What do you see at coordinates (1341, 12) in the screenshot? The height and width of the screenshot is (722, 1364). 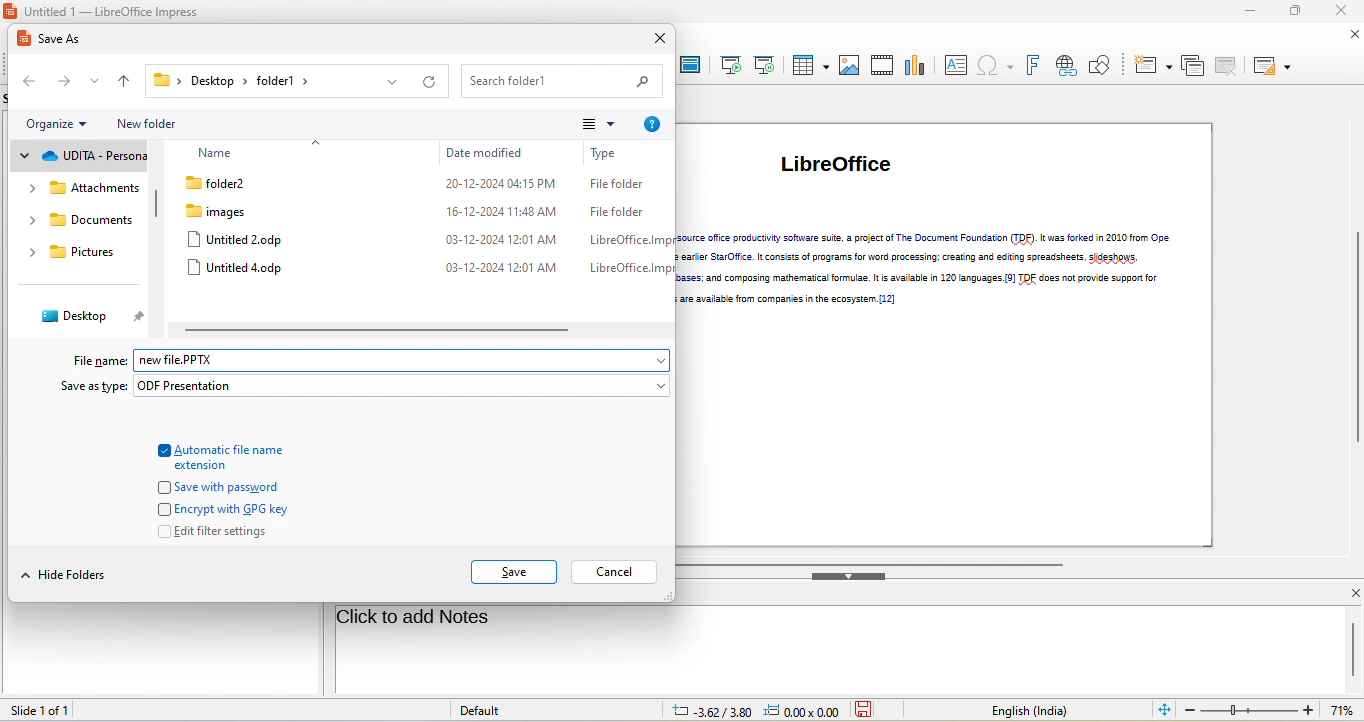 I see `close` at bounding box center [1341, 12].